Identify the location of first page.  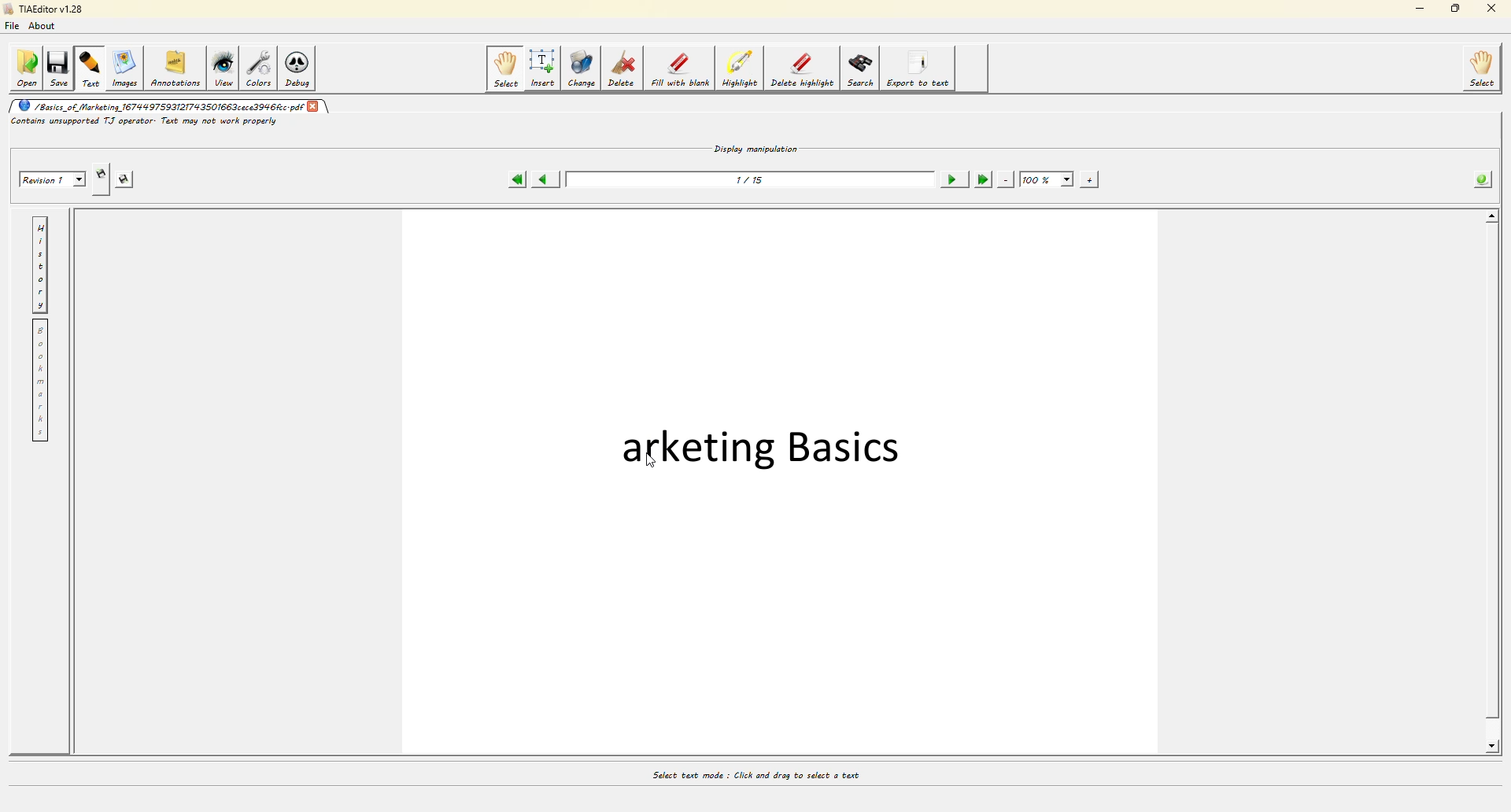
(517, 177).